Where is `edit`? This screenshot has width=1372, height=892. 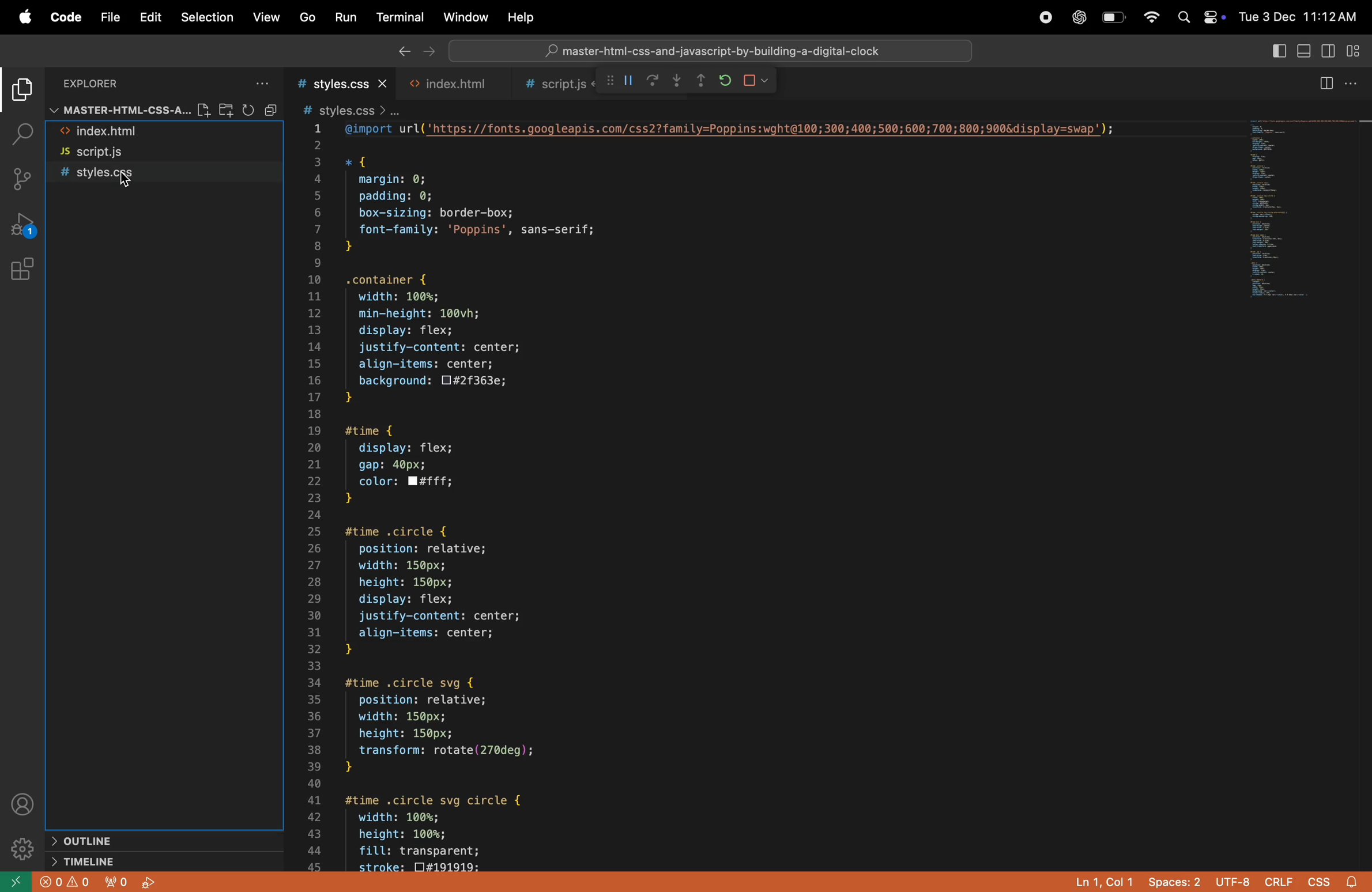 edit is located at coordinates (151, 17).